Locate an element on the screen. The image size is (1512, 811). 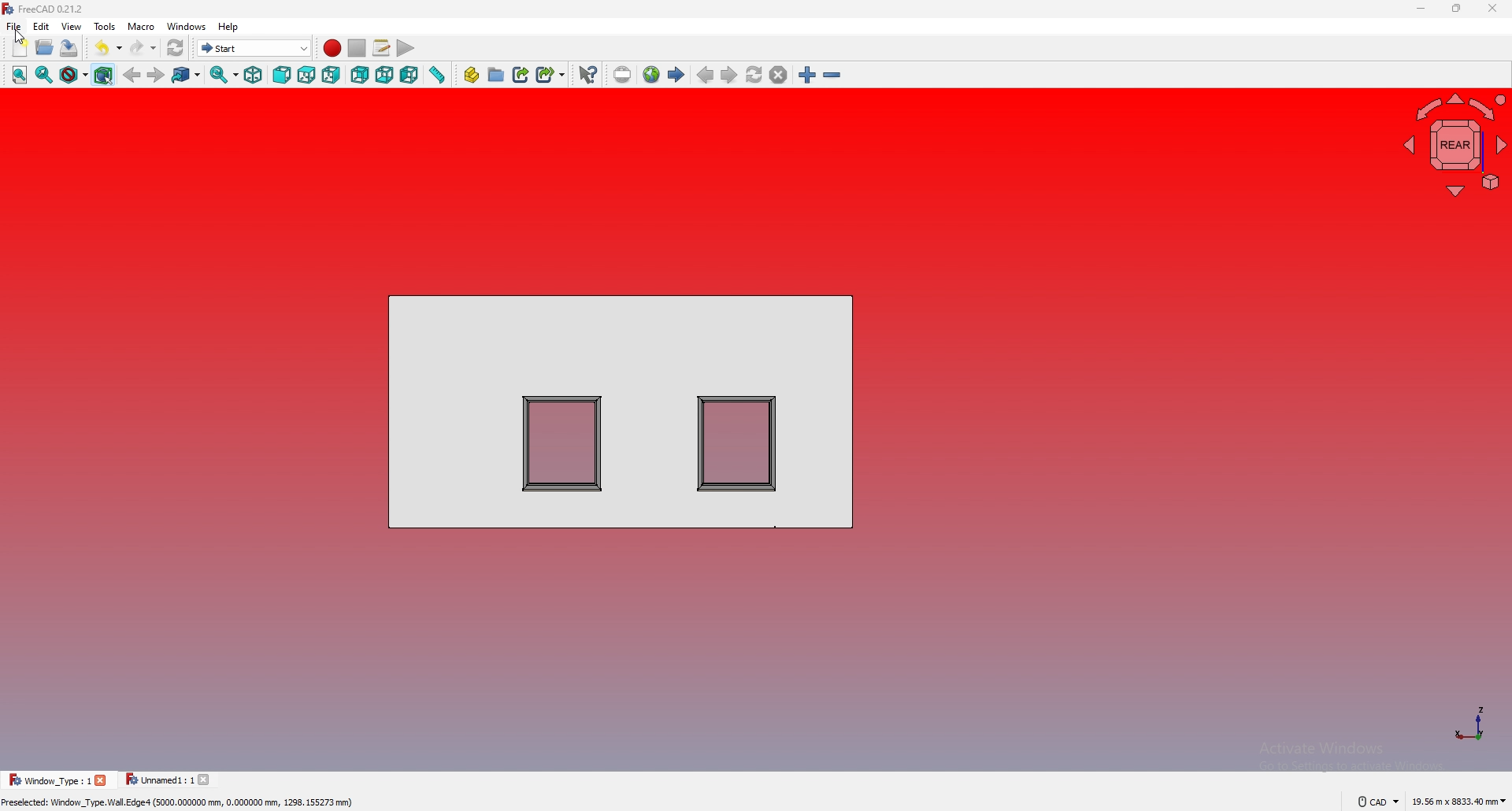
file is located at coordinates (13, 26).